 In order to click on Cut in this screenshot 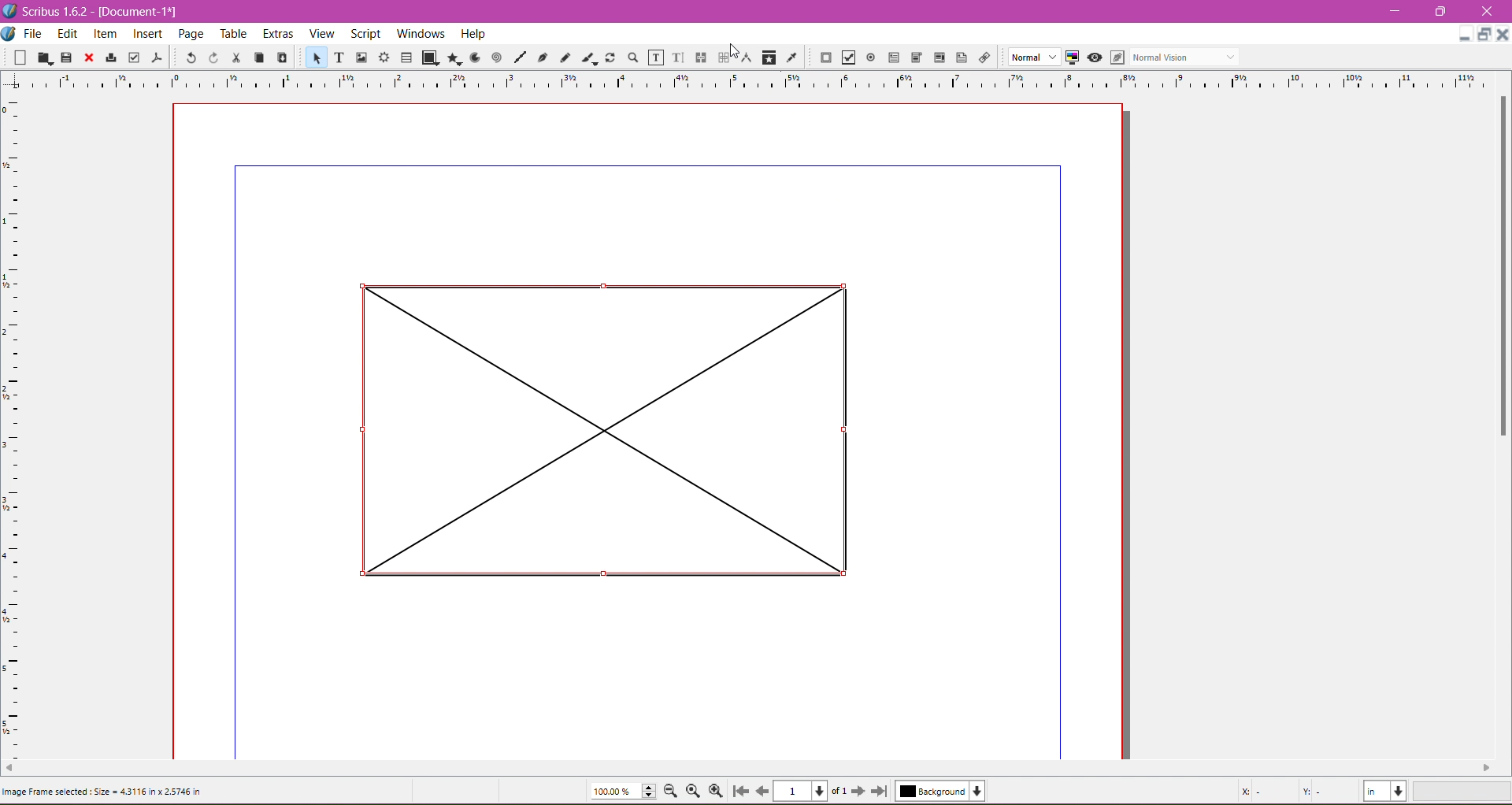, I will do `click(236, 58)`.